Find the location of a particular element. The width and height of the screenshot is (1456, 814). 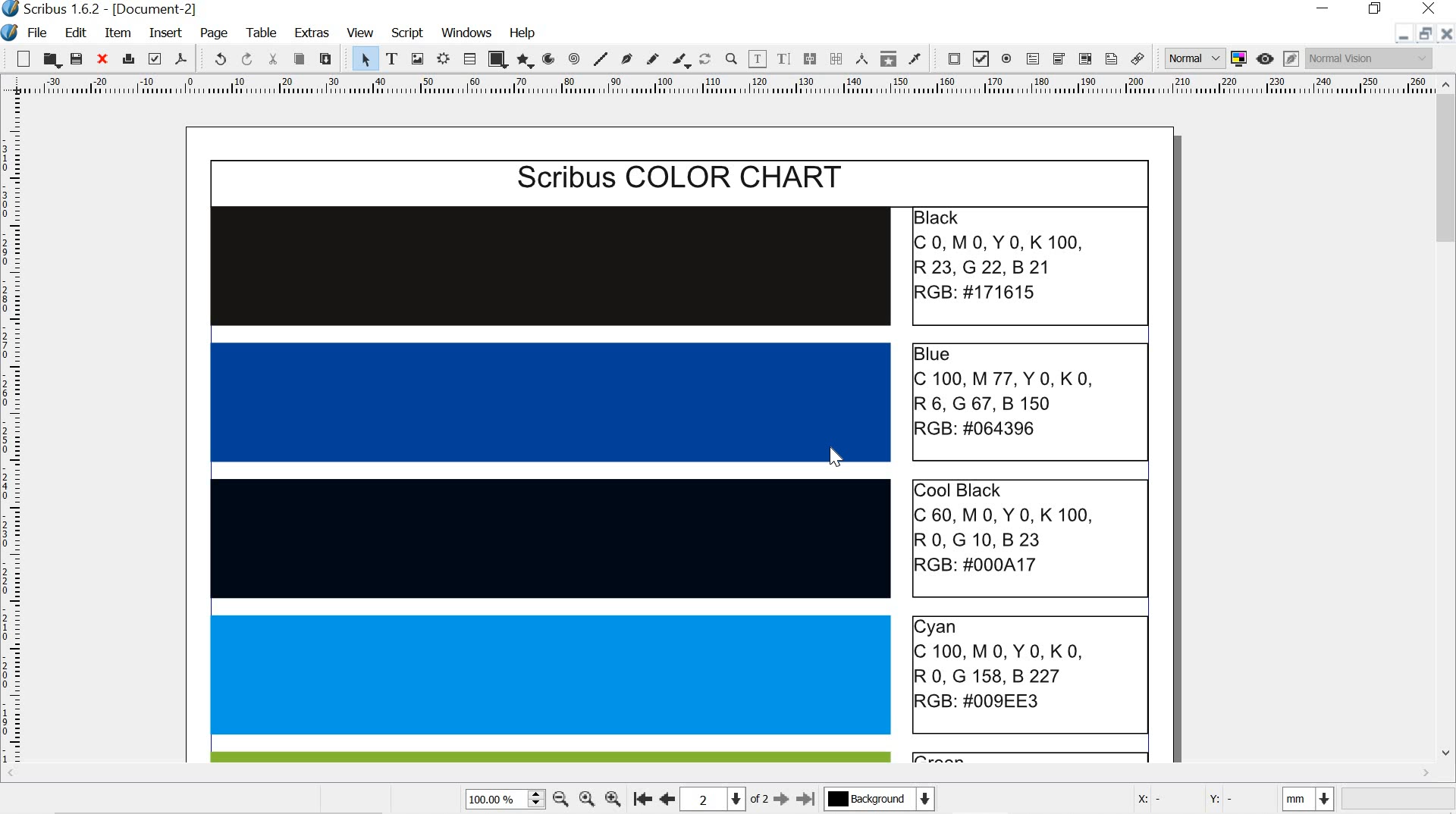

zoom out is located at coordinates (561, 801).